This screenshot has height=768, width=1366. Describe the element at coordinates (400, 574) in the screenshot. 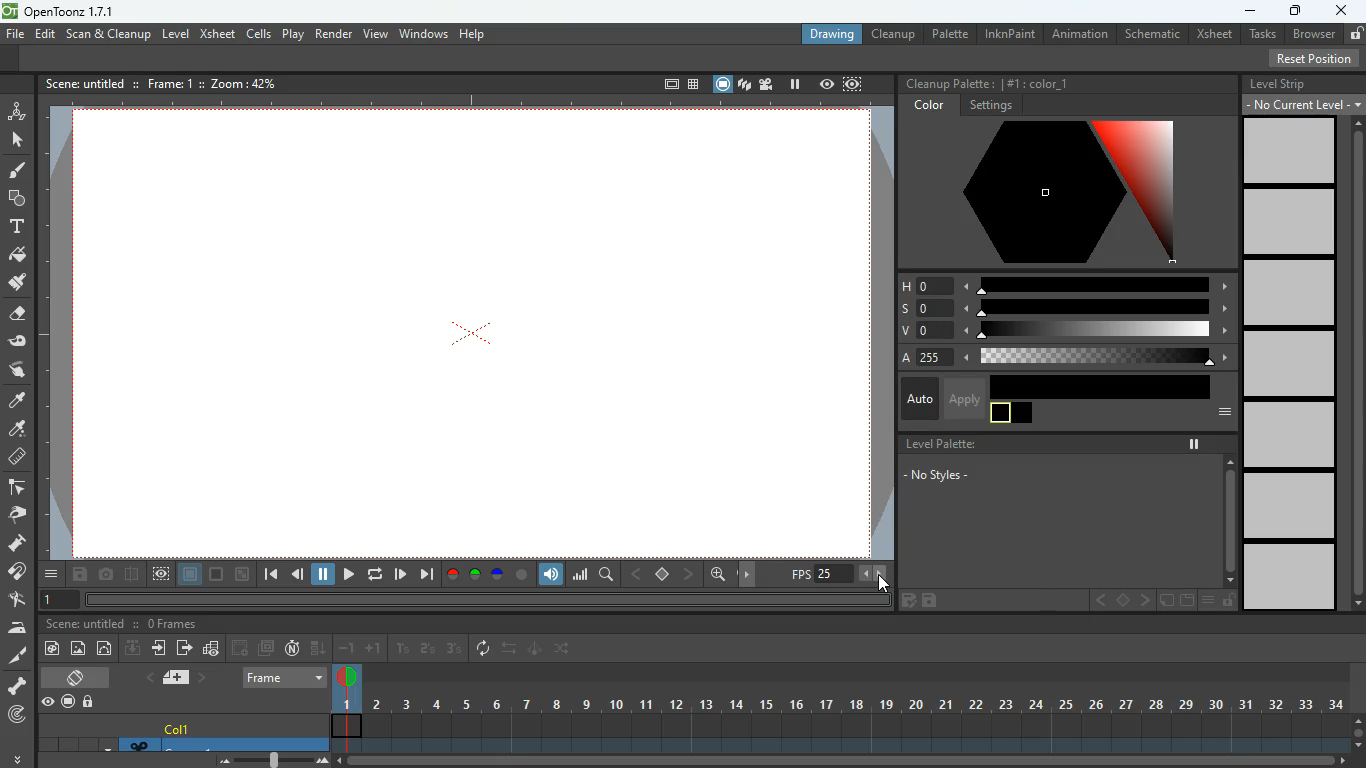

I see `forward` at that location.